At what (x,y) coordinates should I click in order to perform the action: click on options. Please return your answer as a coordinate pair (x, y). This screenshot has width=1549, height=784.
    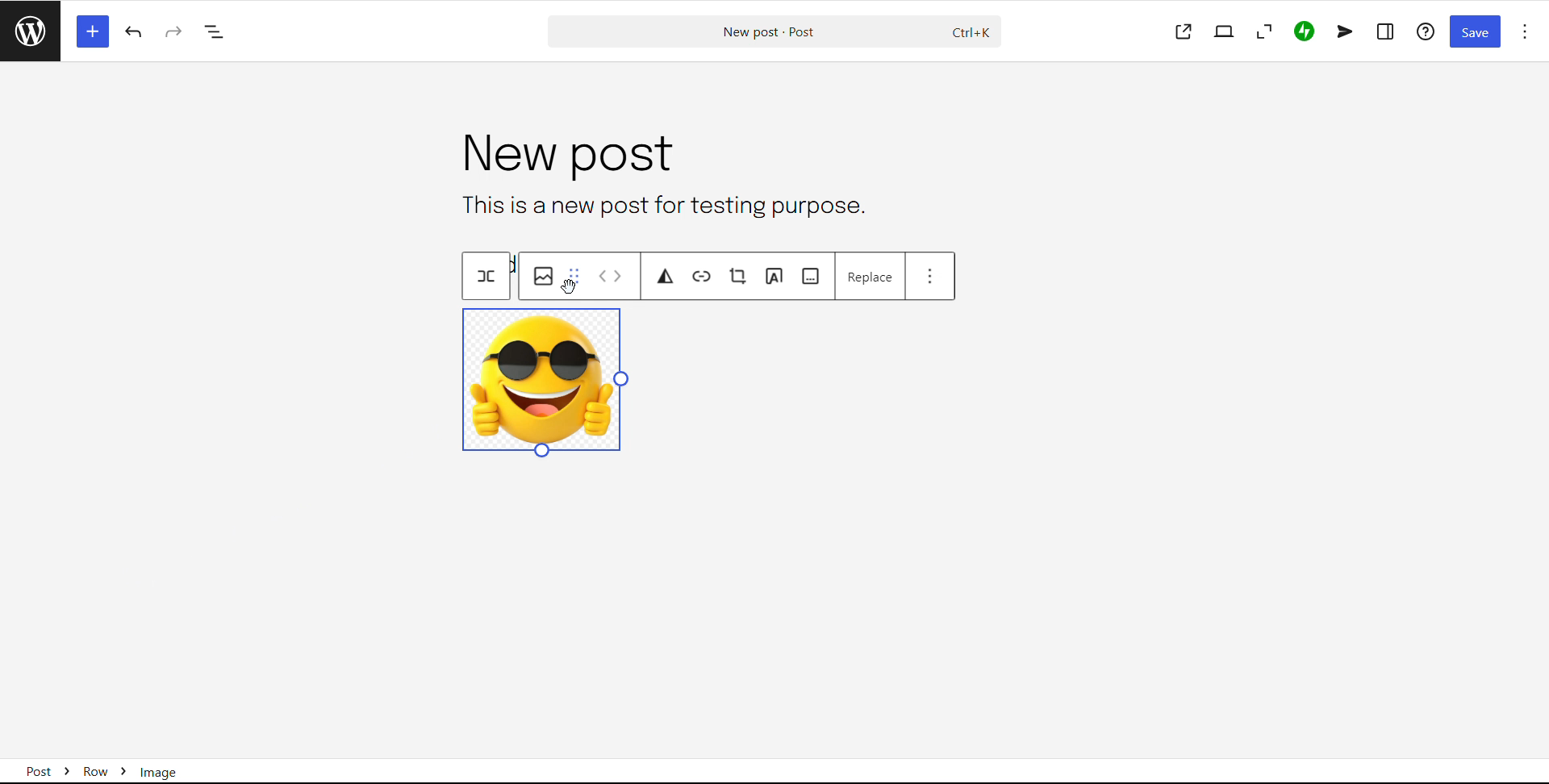
    Looking at the image, I should click on (930, 275).